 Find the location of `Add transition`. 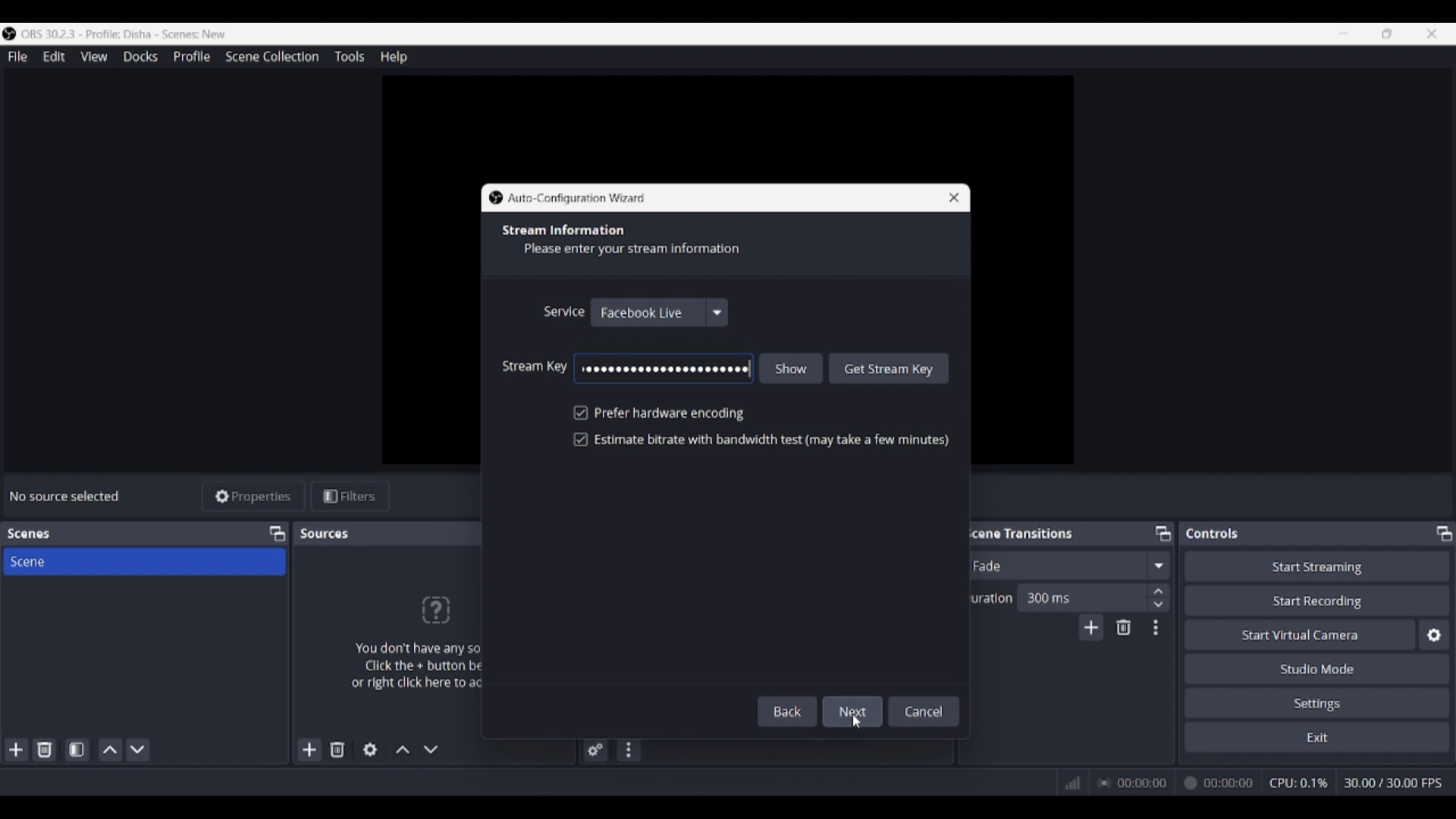

Add transition is located at coordinates (1090, 627).